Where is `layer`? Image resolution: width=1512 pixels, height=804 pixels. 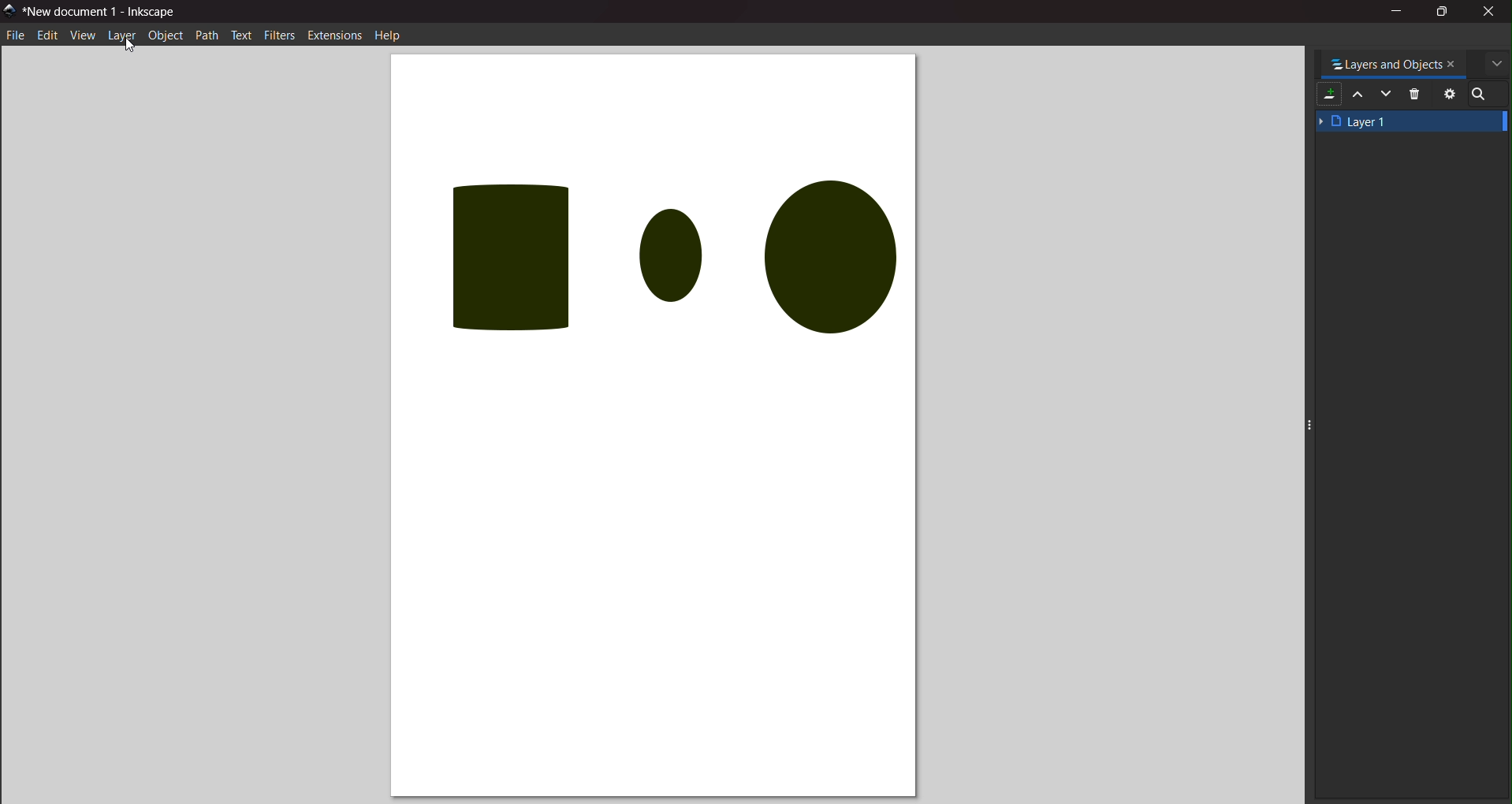 layer is located at coordinates (121, 35).